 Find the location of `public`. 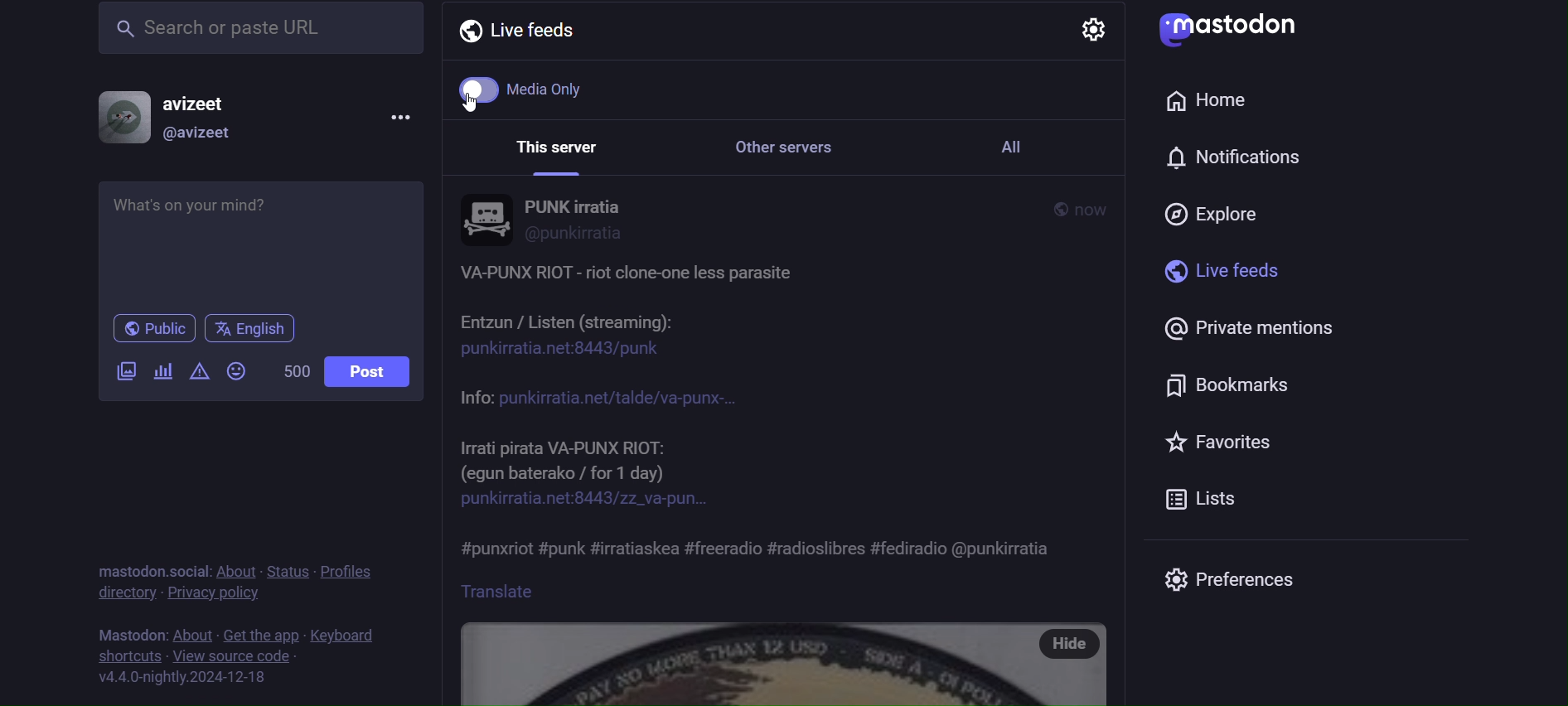

public is located at coordinates (150, 329).